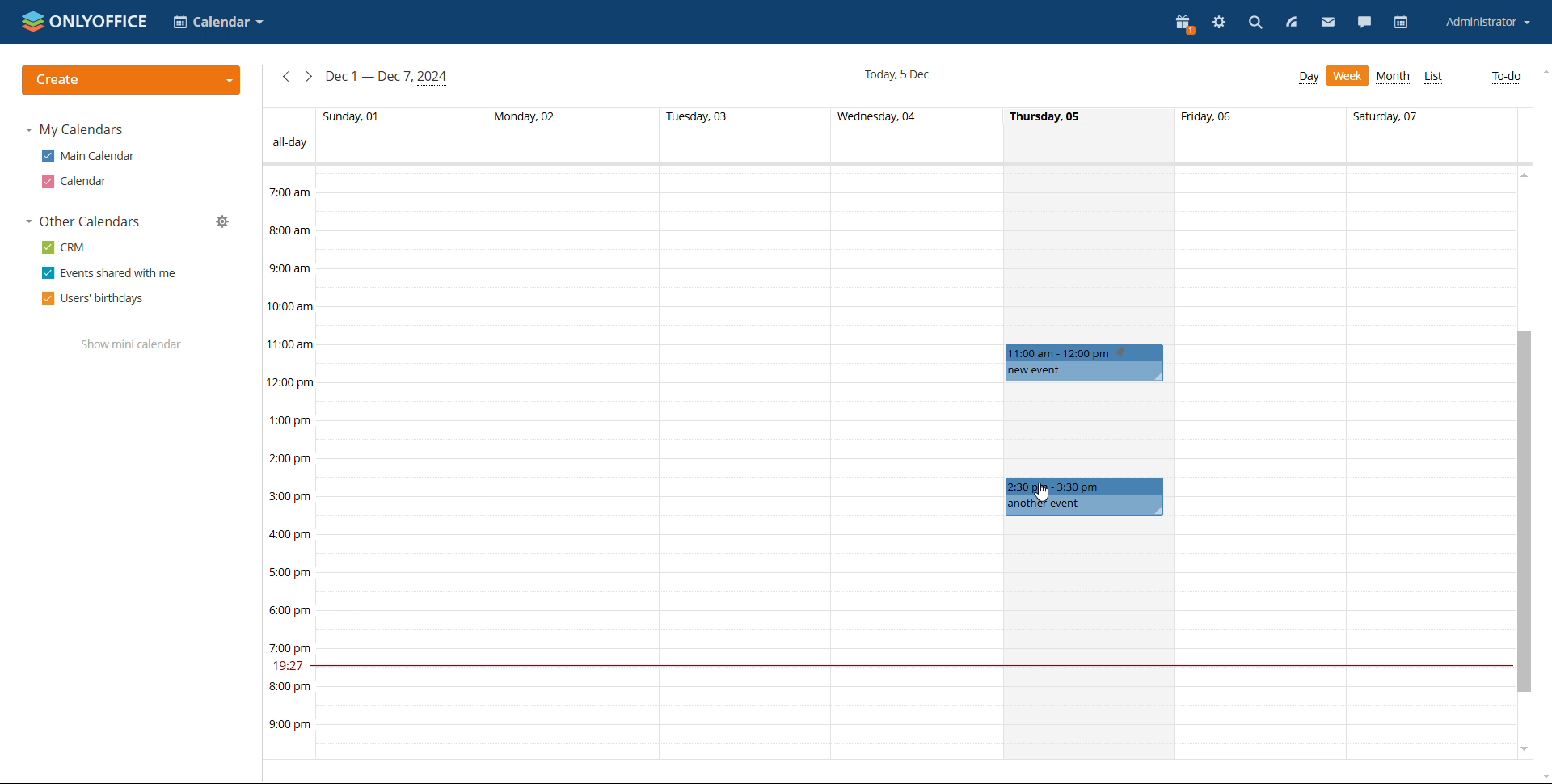 This screenshot has height=784, width=1552. Describe the element at coordinates (132, 345) in the screenshot. I see `show mini calendar` at that location.